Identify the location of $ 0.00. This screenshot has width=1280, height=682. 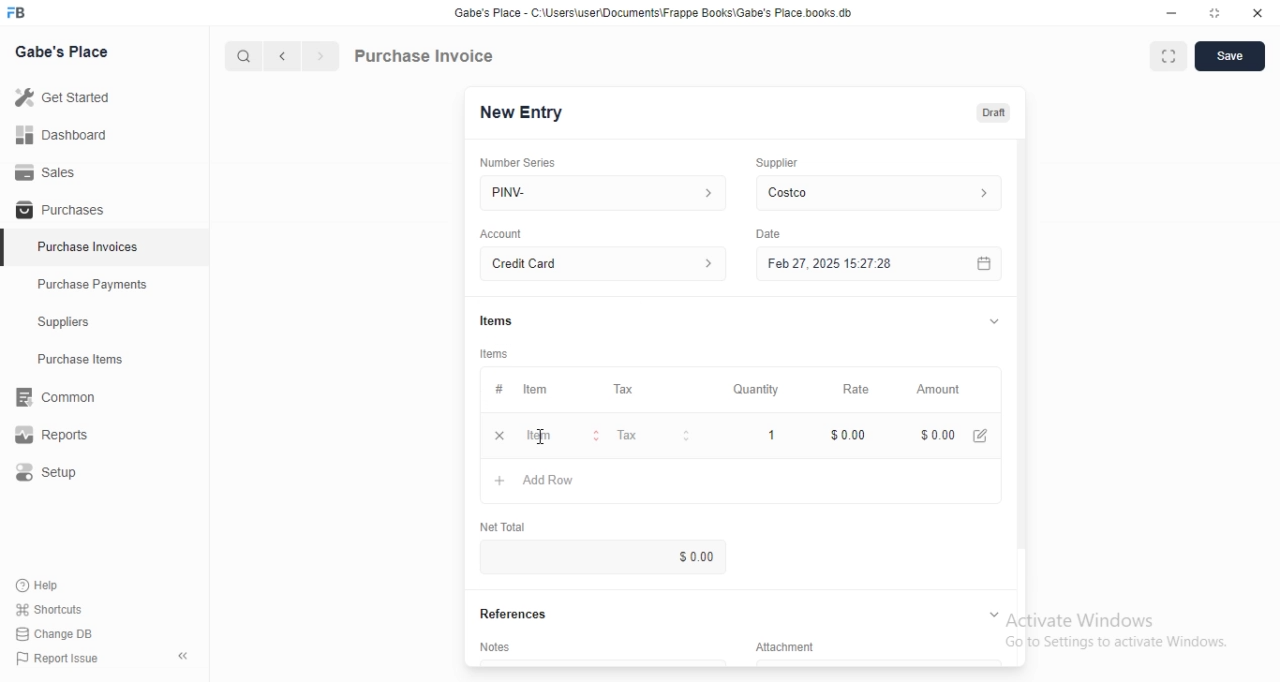
(602, 556).